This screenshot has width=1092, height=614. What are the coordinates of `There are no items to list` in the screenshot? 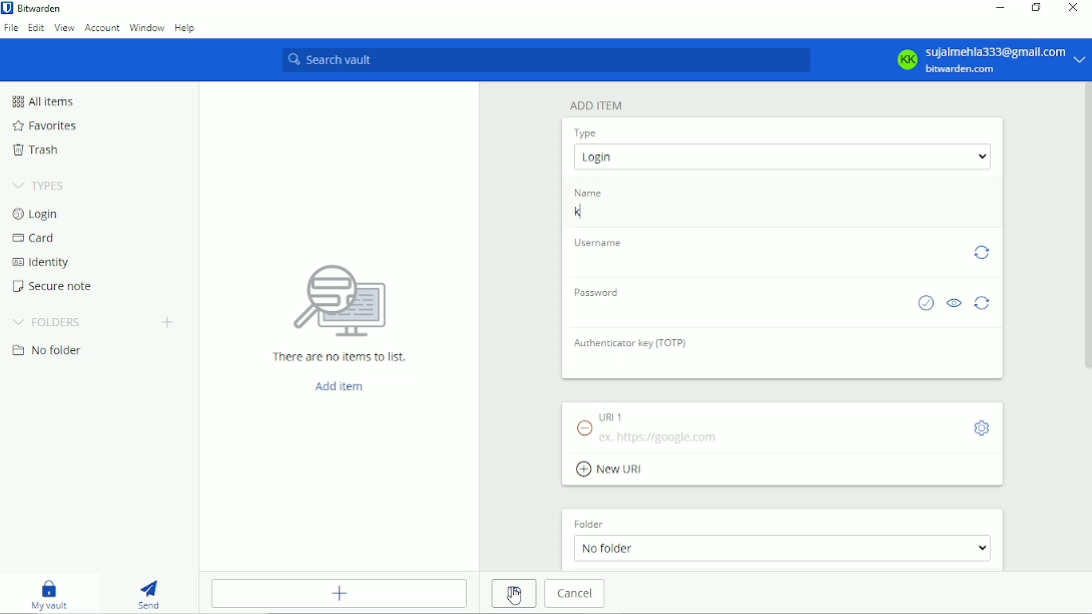 It's located at (340, 313).